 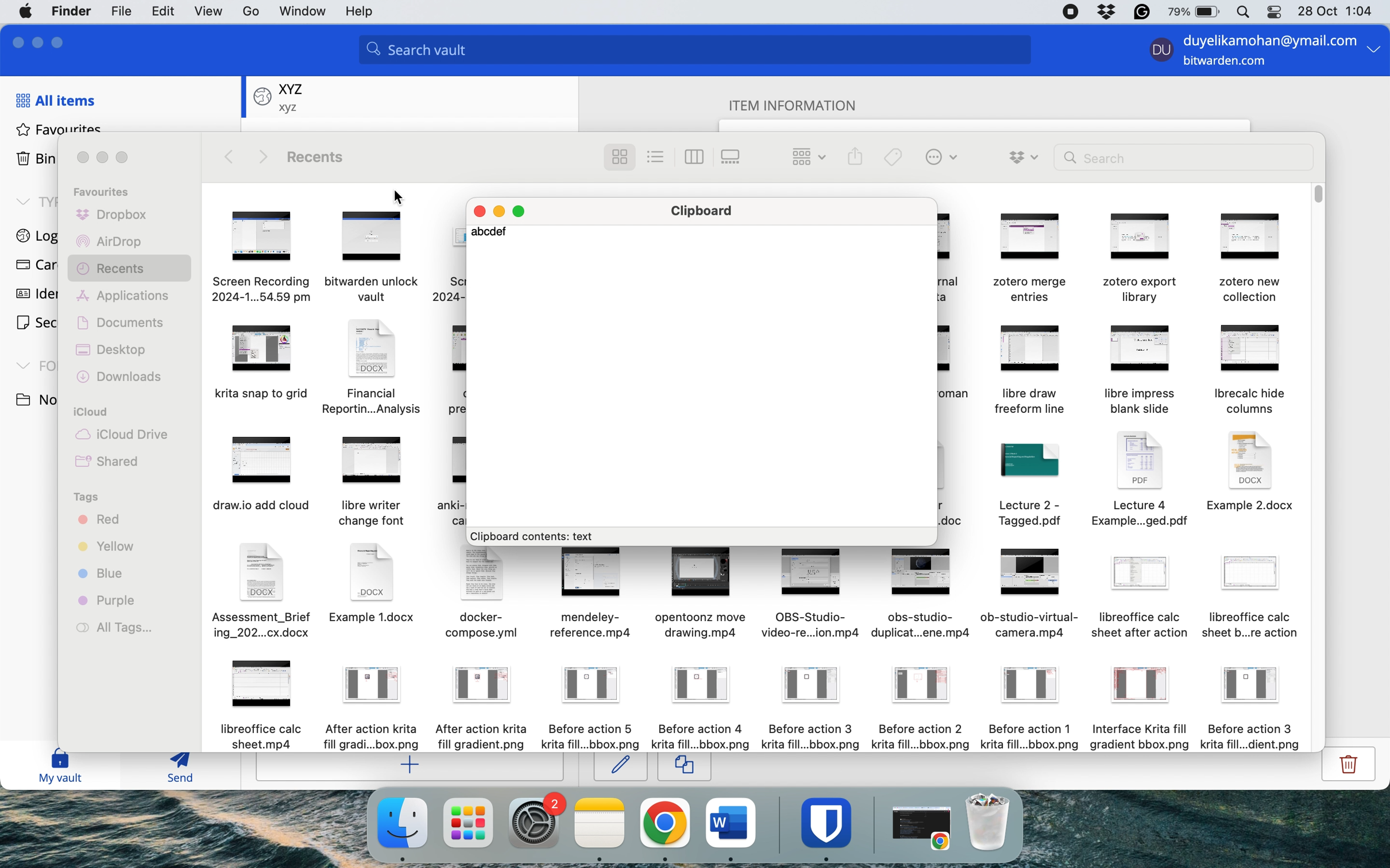 What do you see at coordinates (657, 156) in the screenshot?
I see `show items as list` at bounding box center [657, 156].